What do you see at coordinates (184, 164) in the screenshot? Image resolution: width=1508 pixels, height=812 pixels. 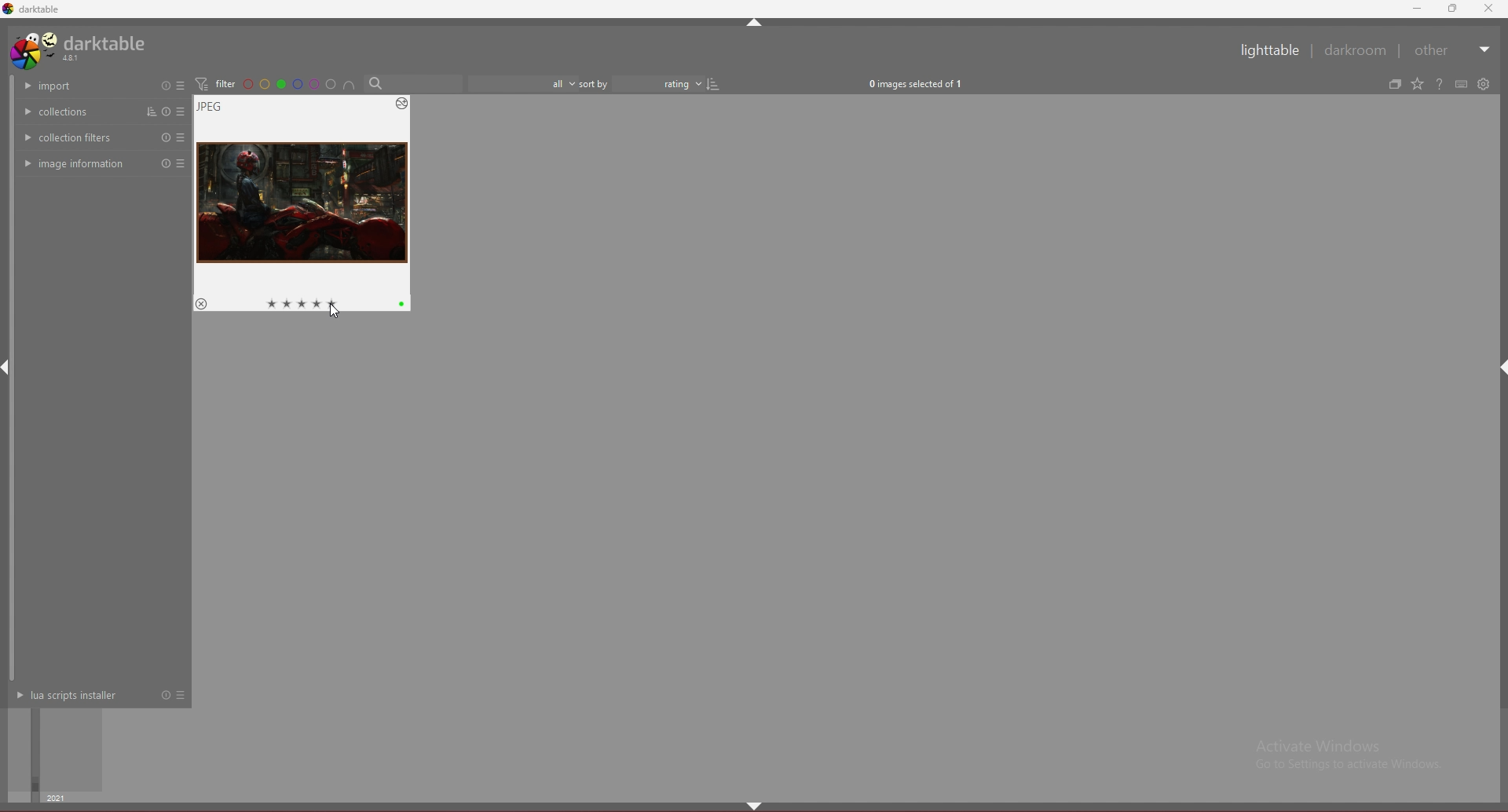 I see `preset` at bounding box center [184, 164].